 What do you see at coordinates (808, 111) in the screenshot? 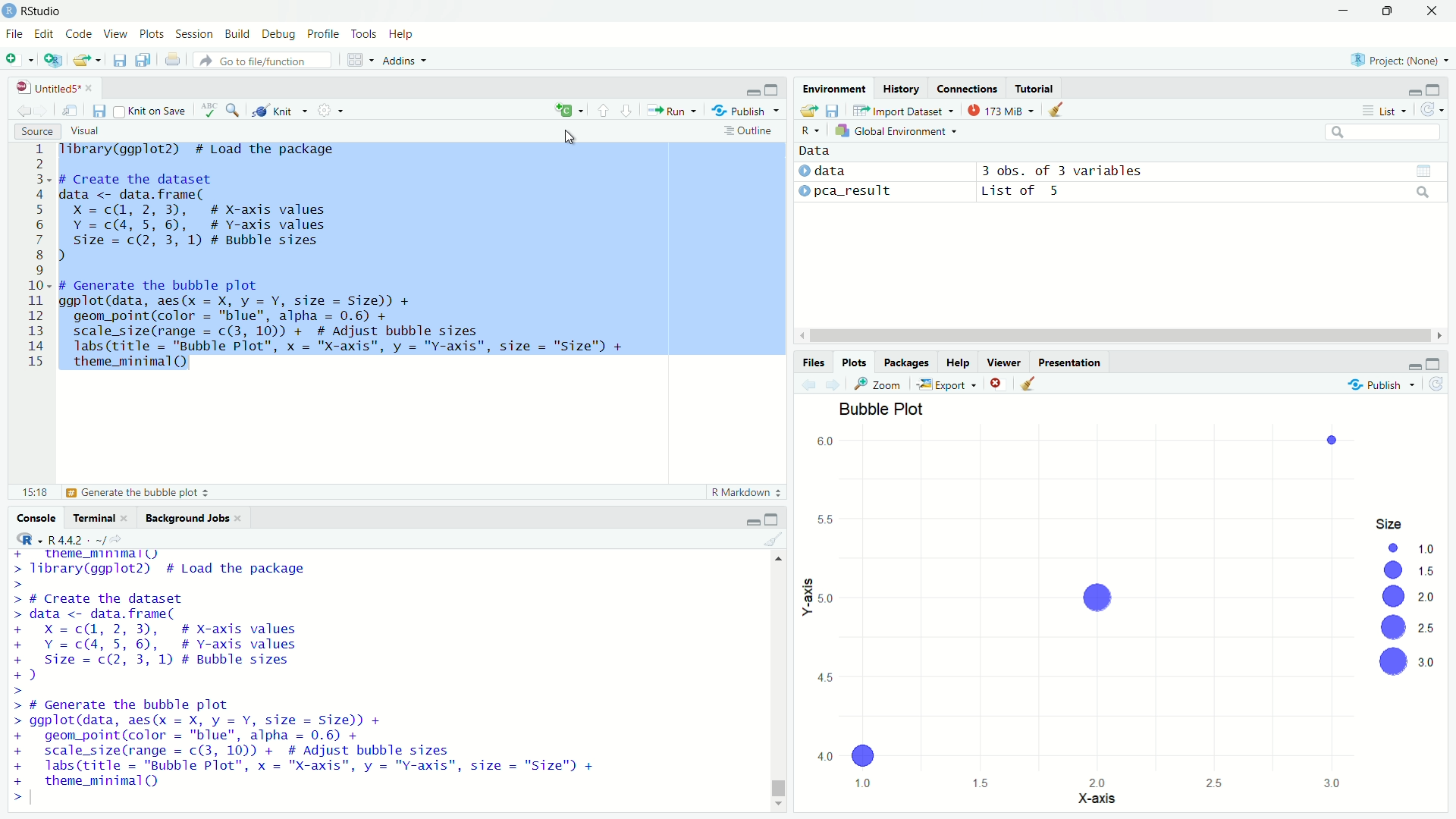
I see `load workspace` at bounding box center [808, 111].